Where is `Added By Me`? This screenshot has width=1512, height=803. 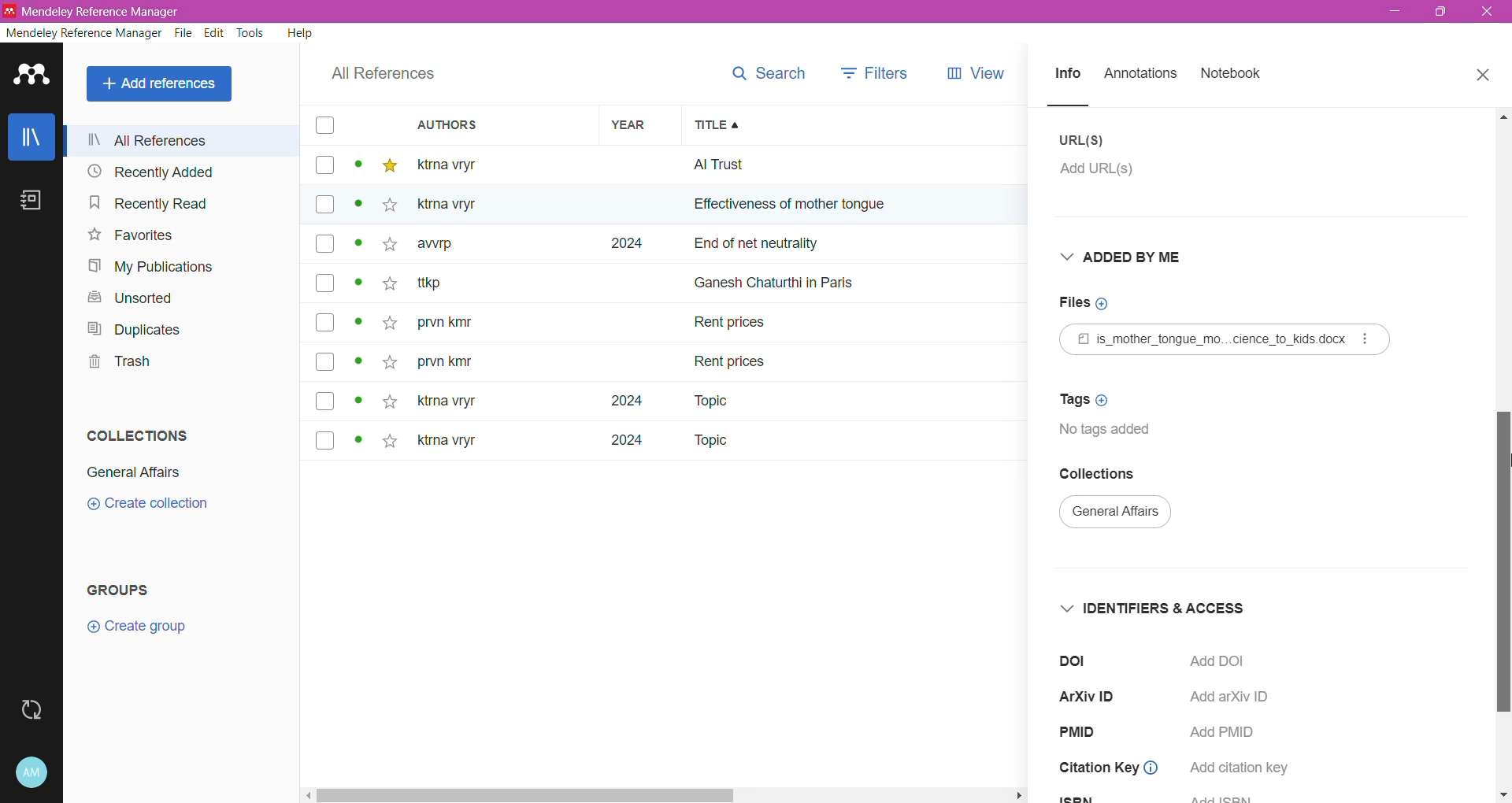 Added By Me is located at coordinates (1132, 257).